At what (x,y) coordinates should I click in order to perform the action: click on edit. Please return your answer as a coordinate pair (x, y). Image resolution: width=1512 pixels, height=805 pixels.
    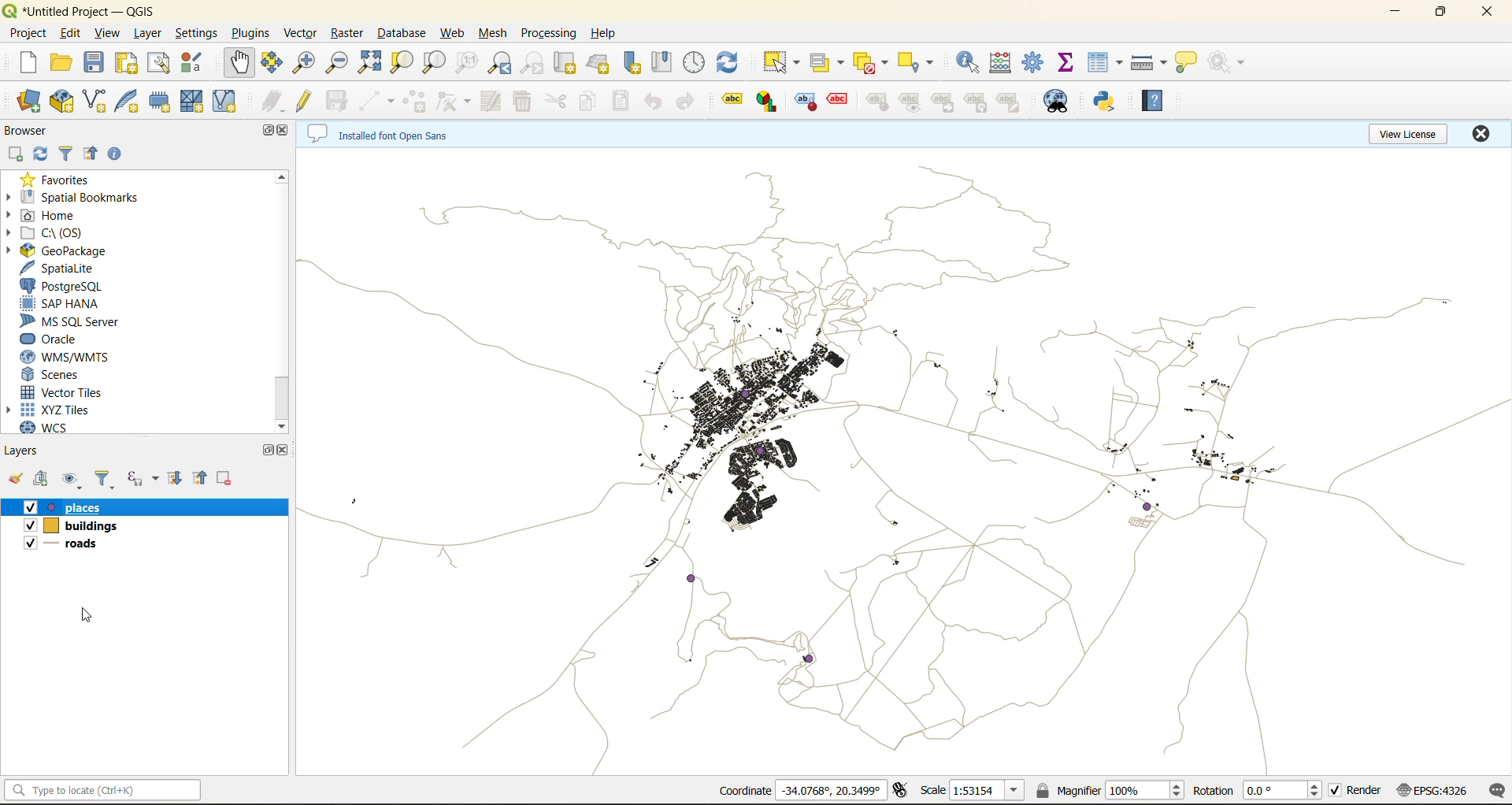
    Looking at the image, I should click on (71, 35).